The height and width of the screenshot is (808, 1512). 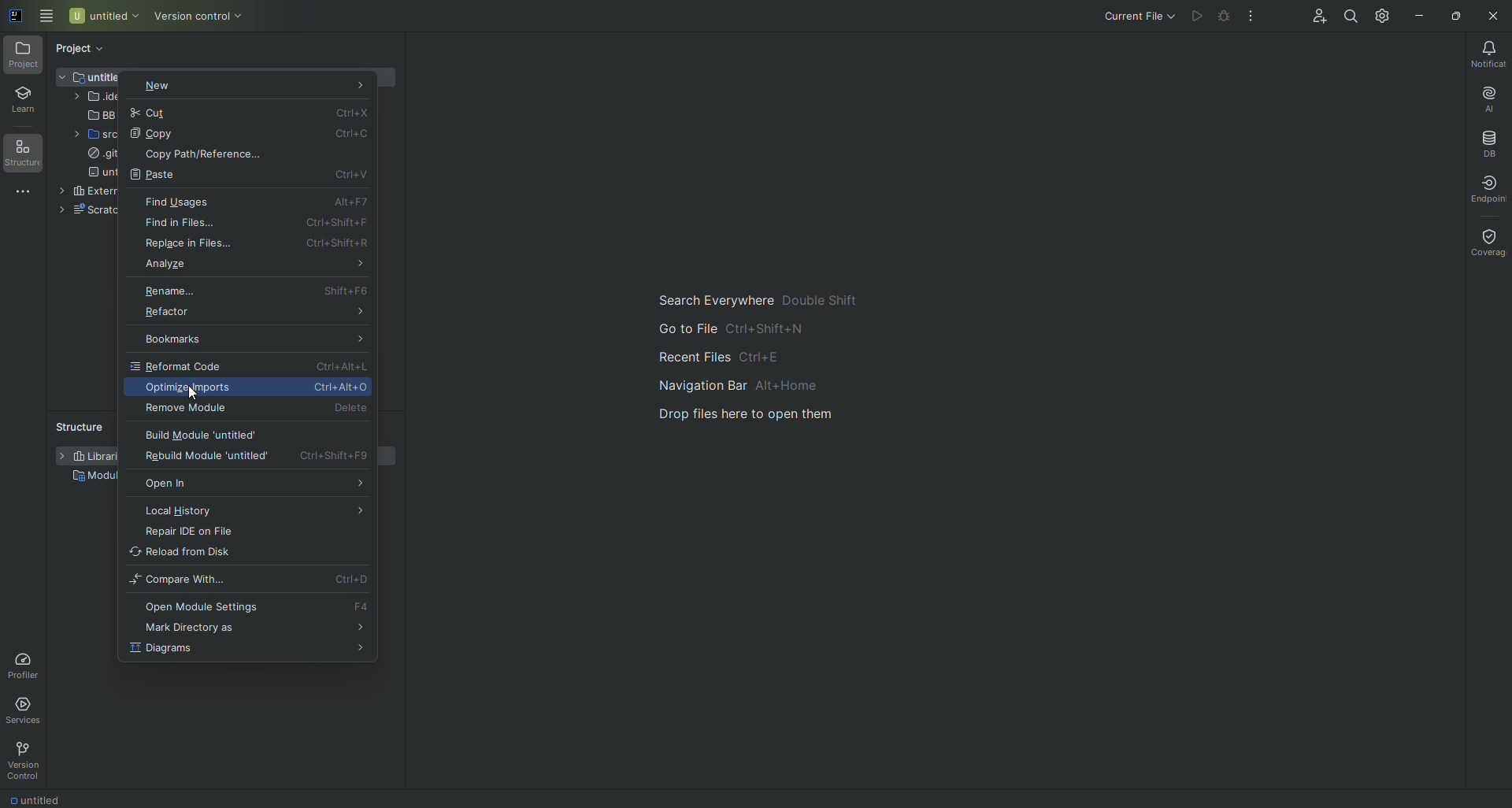 What do you see at coordinates (1347, 17) in the screenshot?
I see `Search` at bounding box center [1347, 17].